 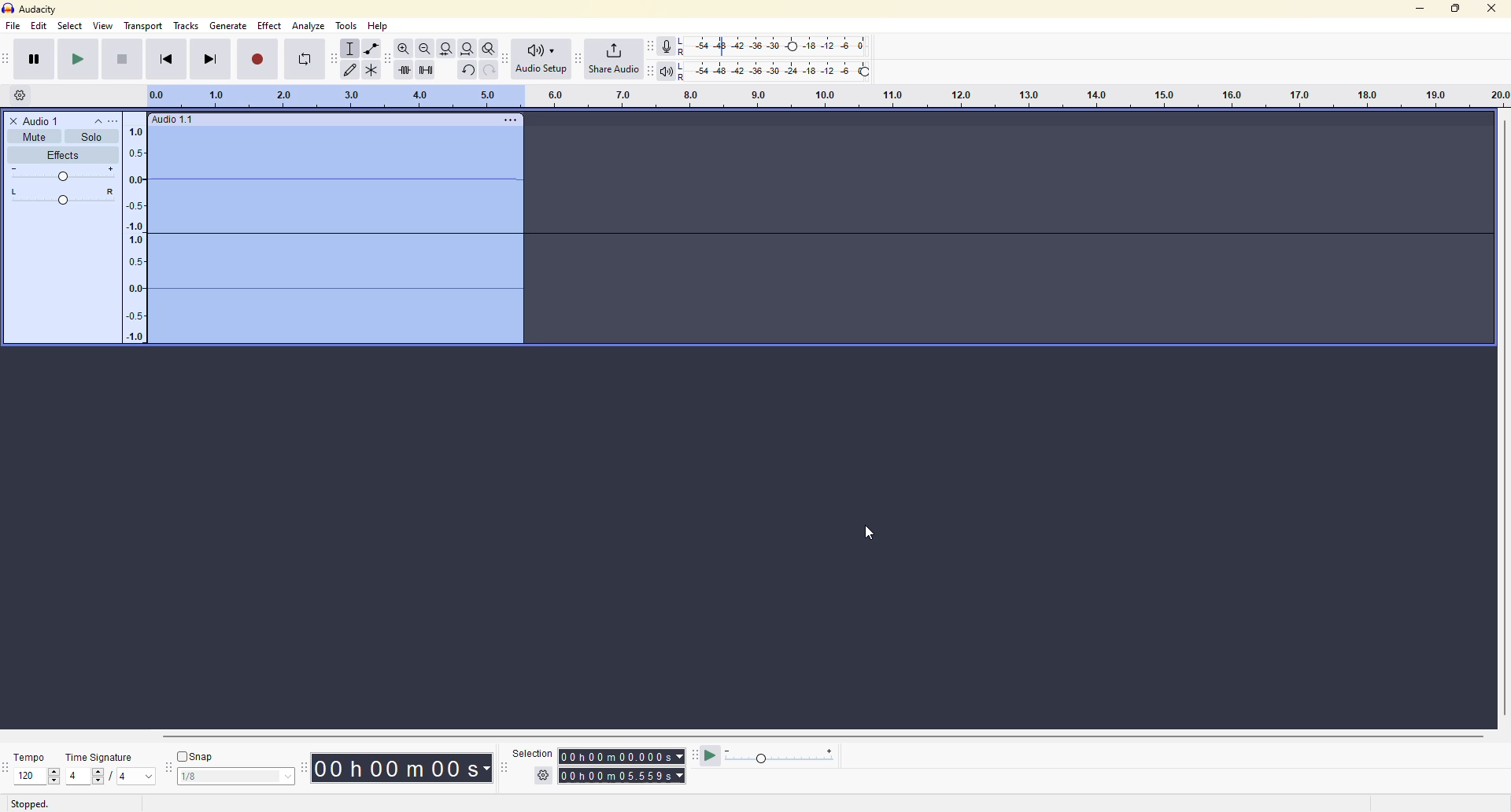 I want to click on play at speed, so click(x=711, y=755).